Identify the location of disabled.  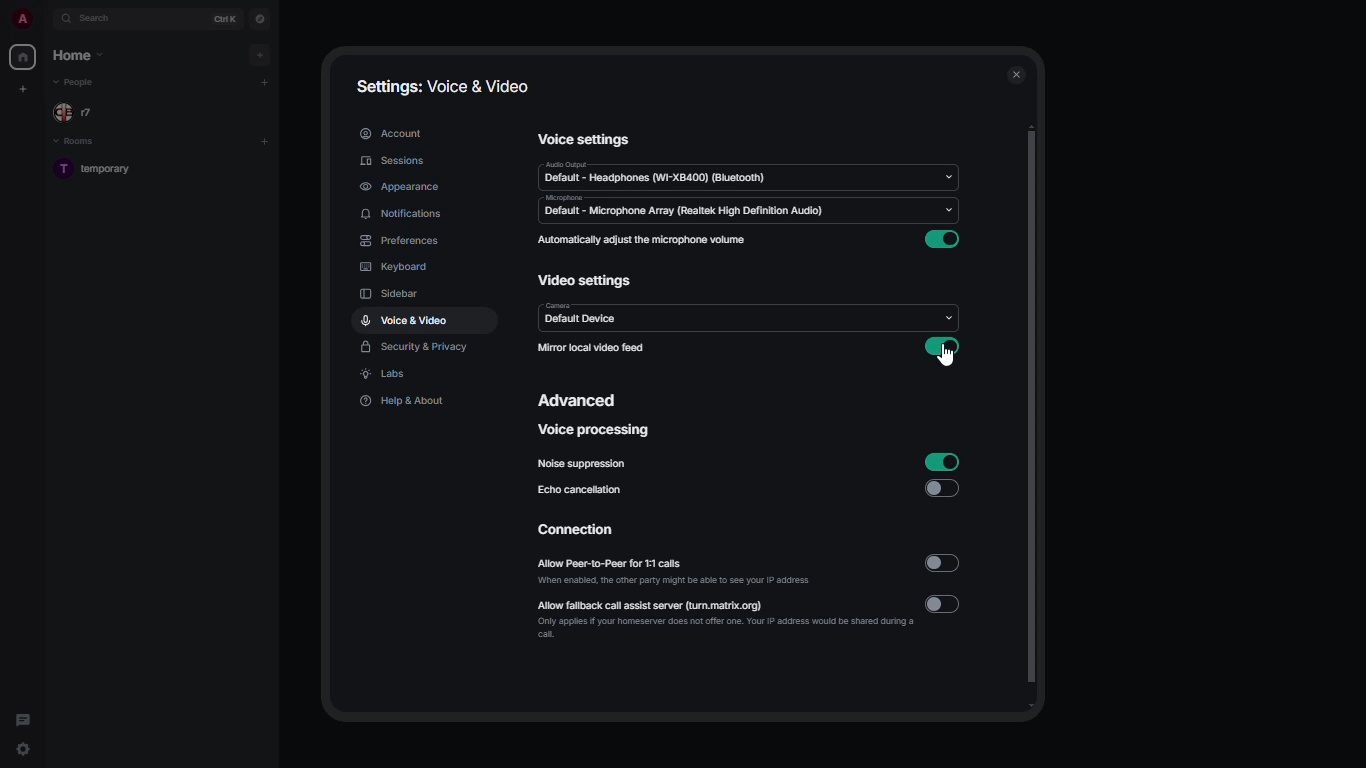
(946, 604).